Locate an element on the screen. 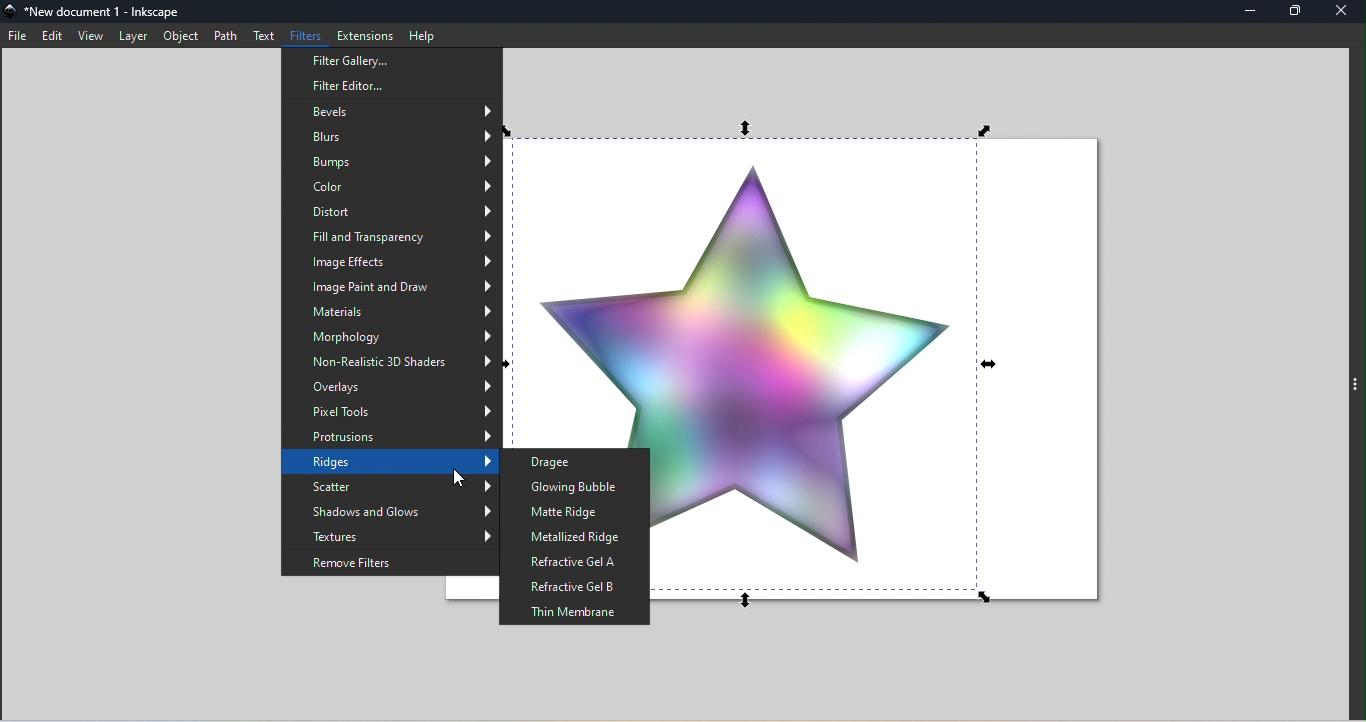 The height and width of the screenshot is (722, 1366). Ridges is located at coordinates (389, 464).